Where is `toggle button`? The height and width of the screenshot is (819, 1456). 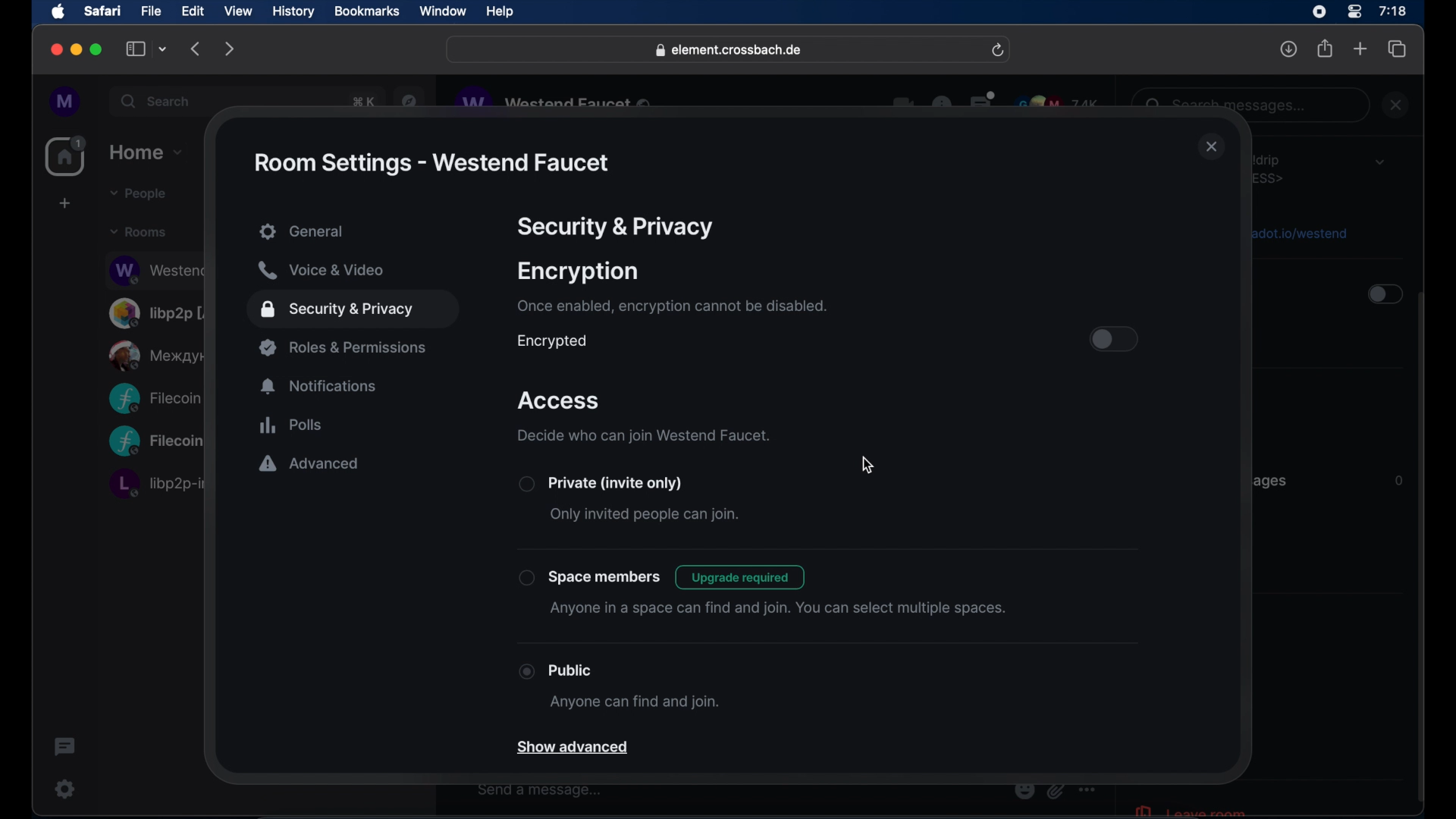
toggle button is located at coordinates (1383, 296).